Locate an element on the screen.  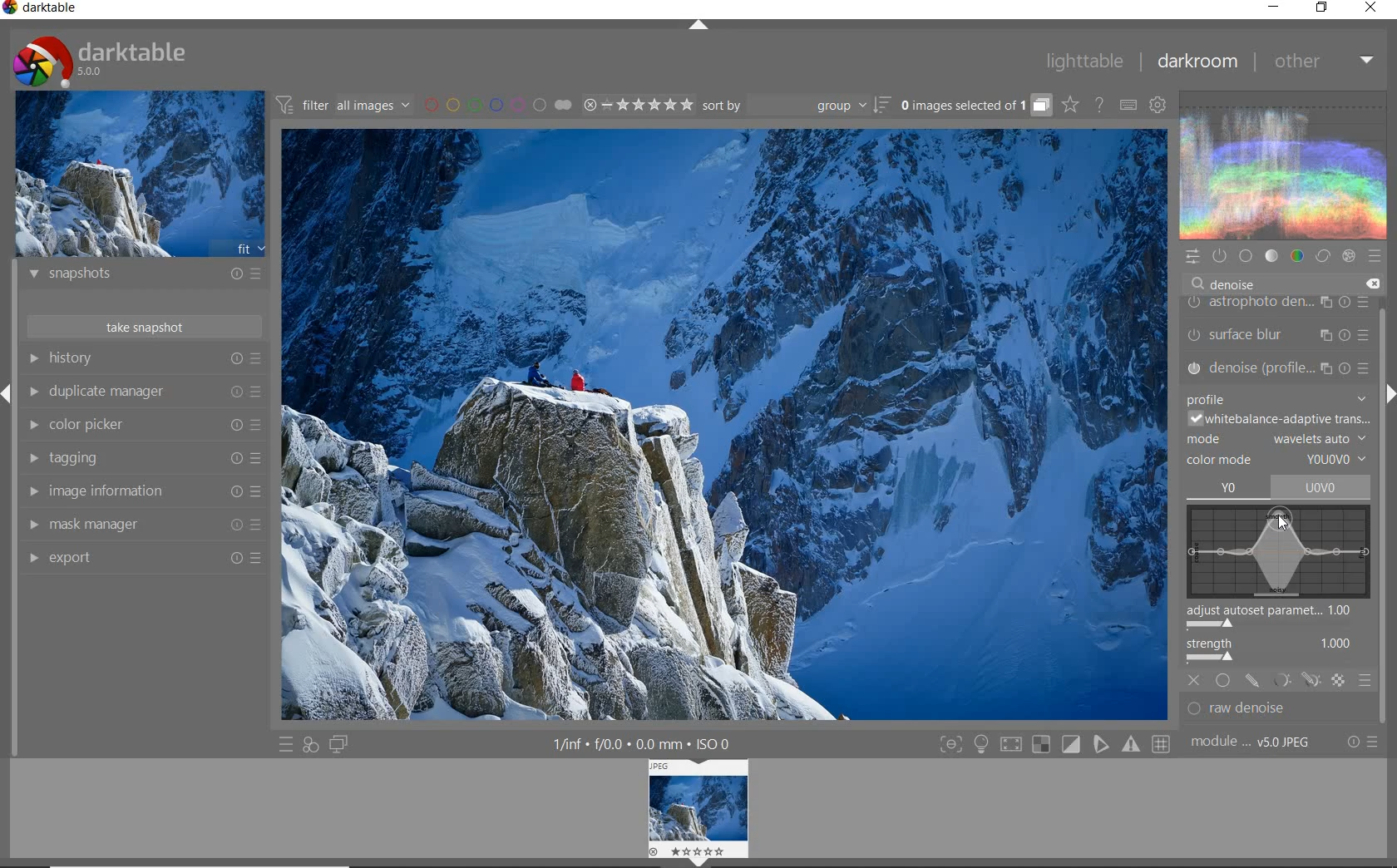
WAVELETS MAP is located at coordinates (1278, 550).